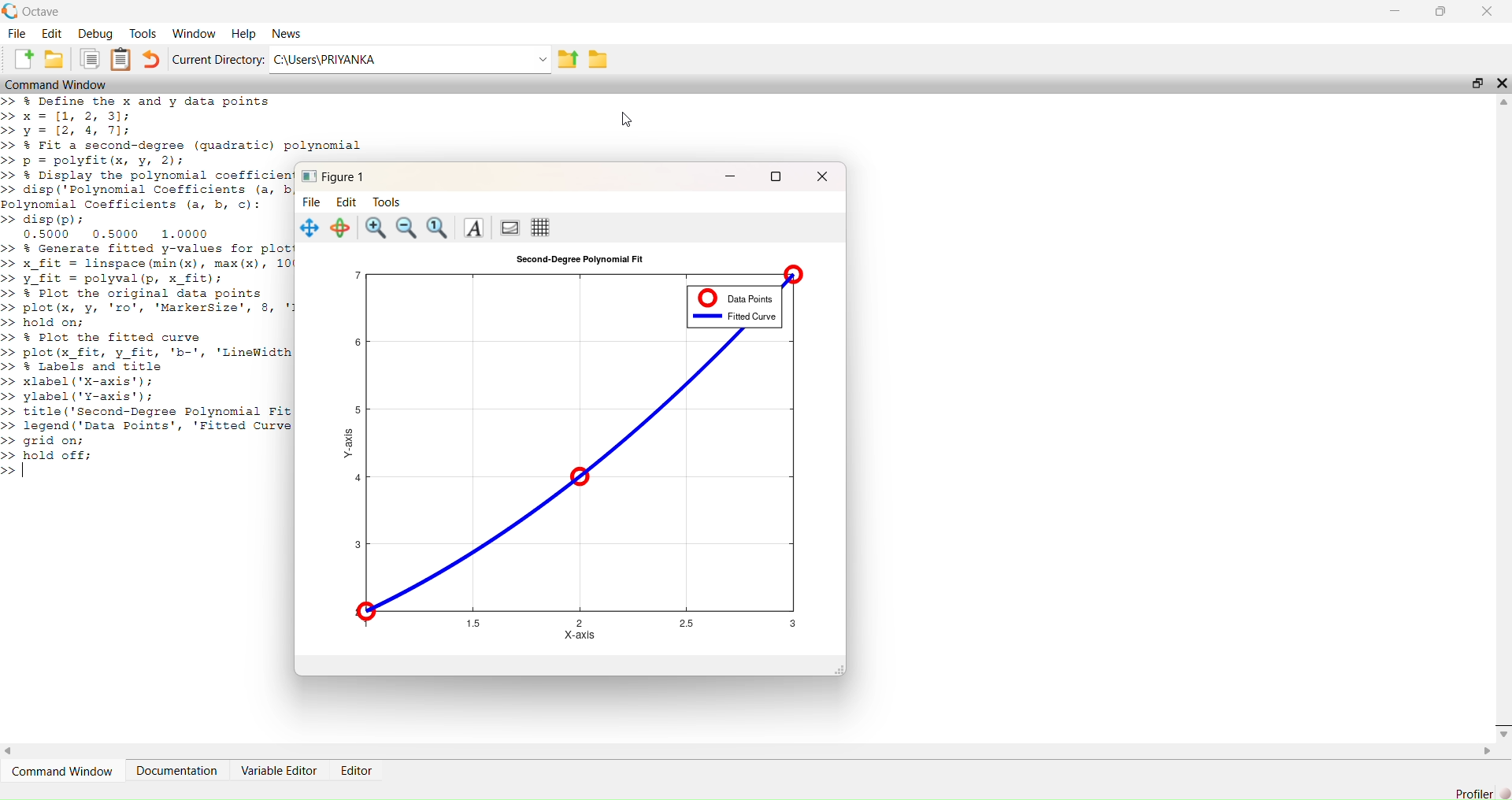 This screenshot has width=1512, height=800. I want to click on Browse directories, so click(600, 59).